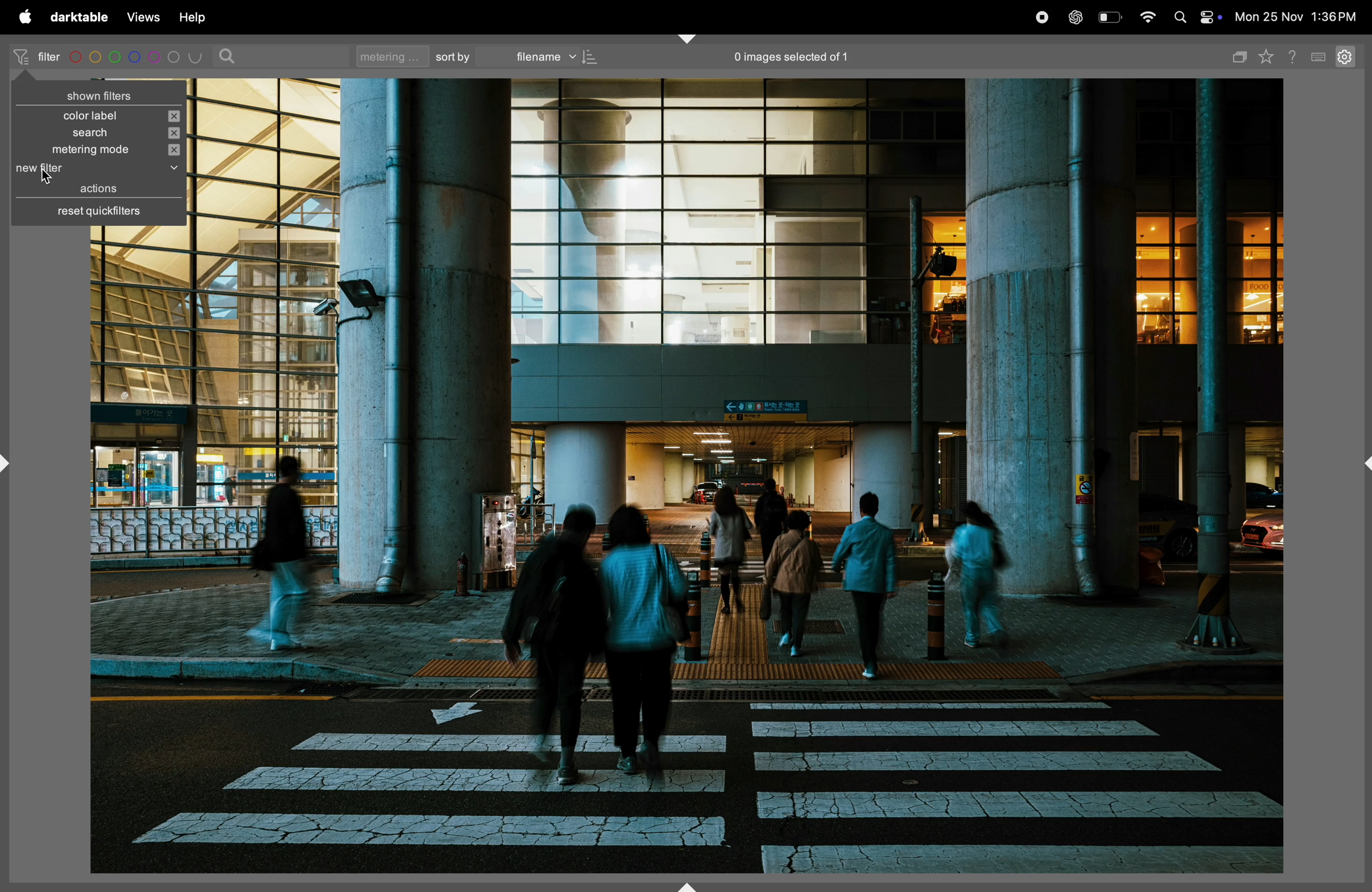 Image resolution: width=1372 pixels, height=892 pixels. I want to click on shown filters, so click(103, 89).